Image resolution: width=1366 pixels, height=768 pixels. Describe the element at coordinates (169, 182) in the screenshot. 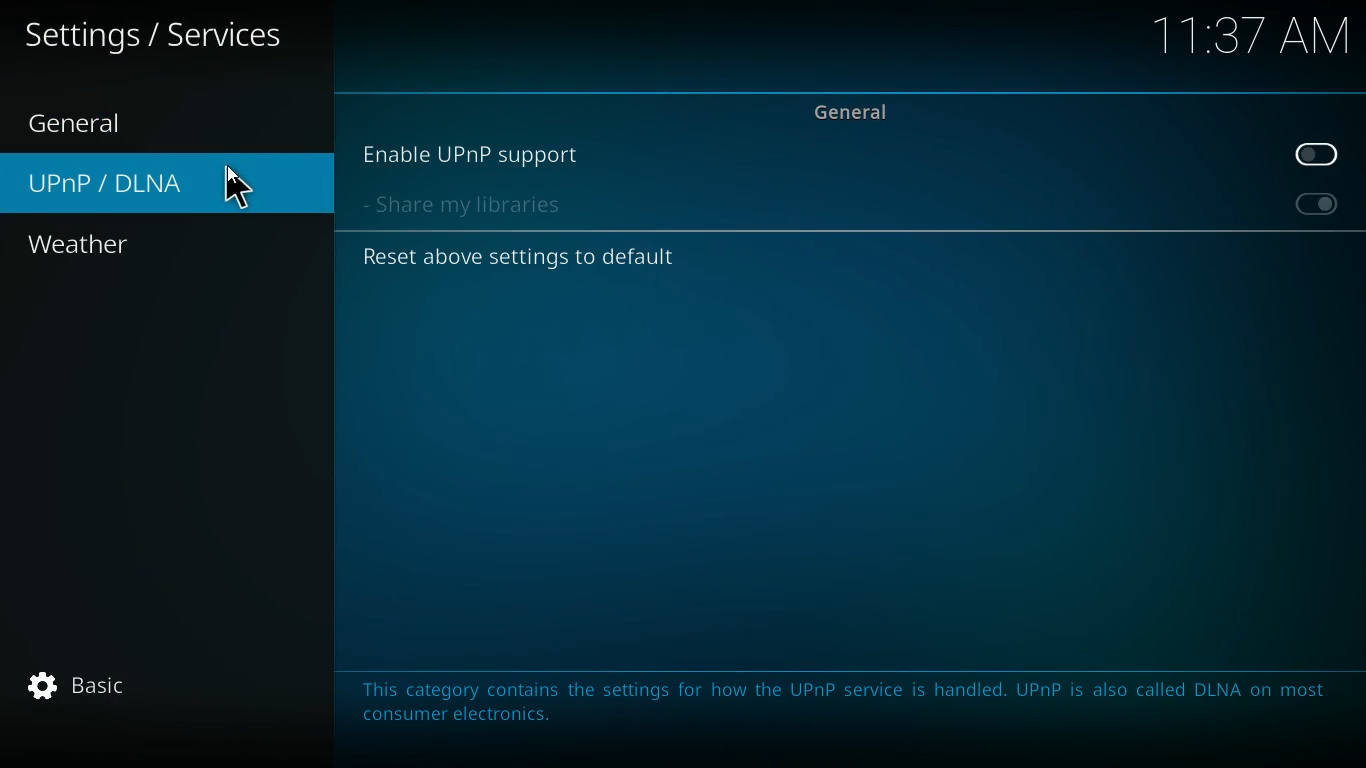

I see `upnp / dlna` at that location.